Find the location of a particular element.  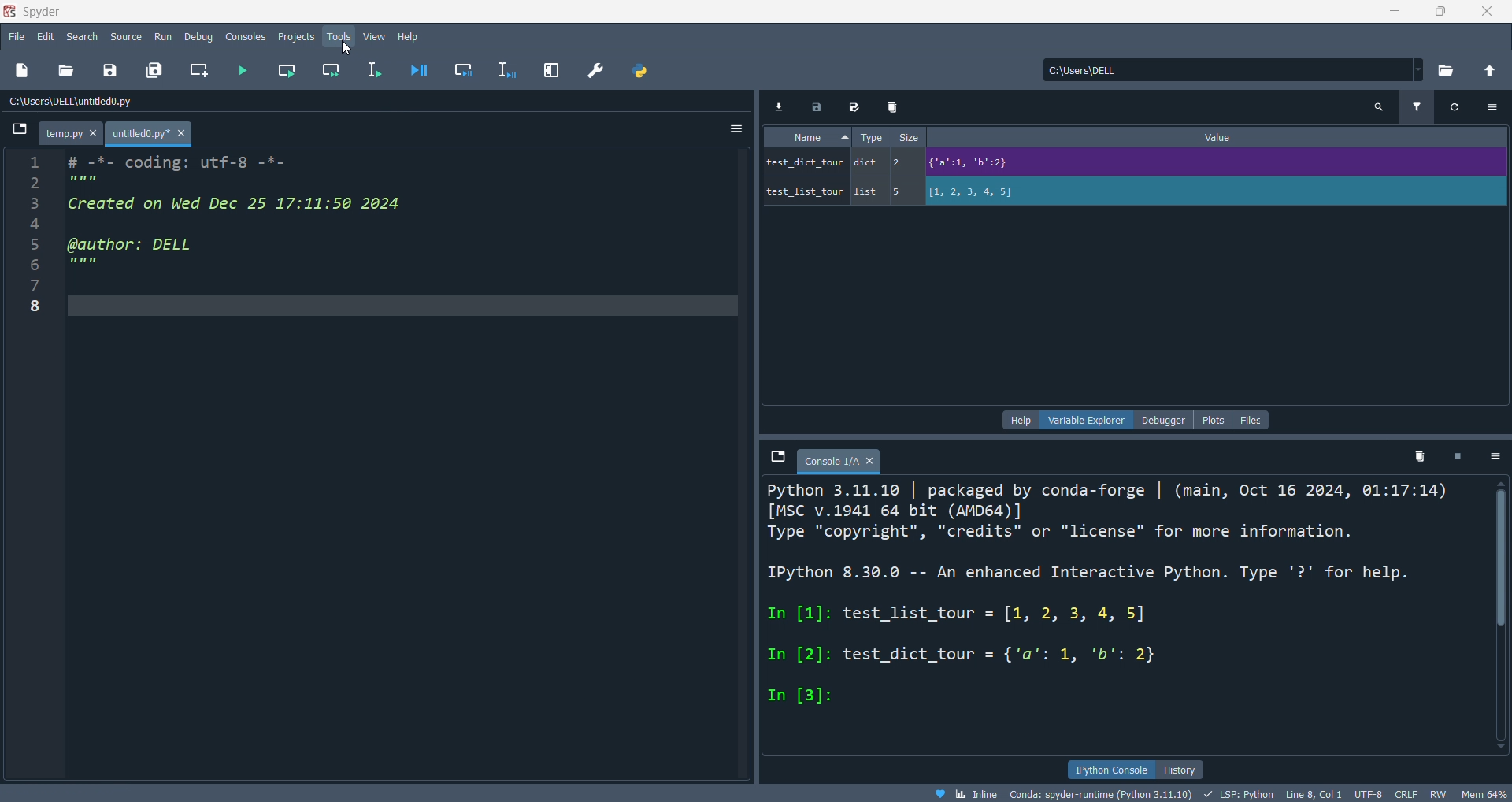

view is located at coordinates (371, 37).